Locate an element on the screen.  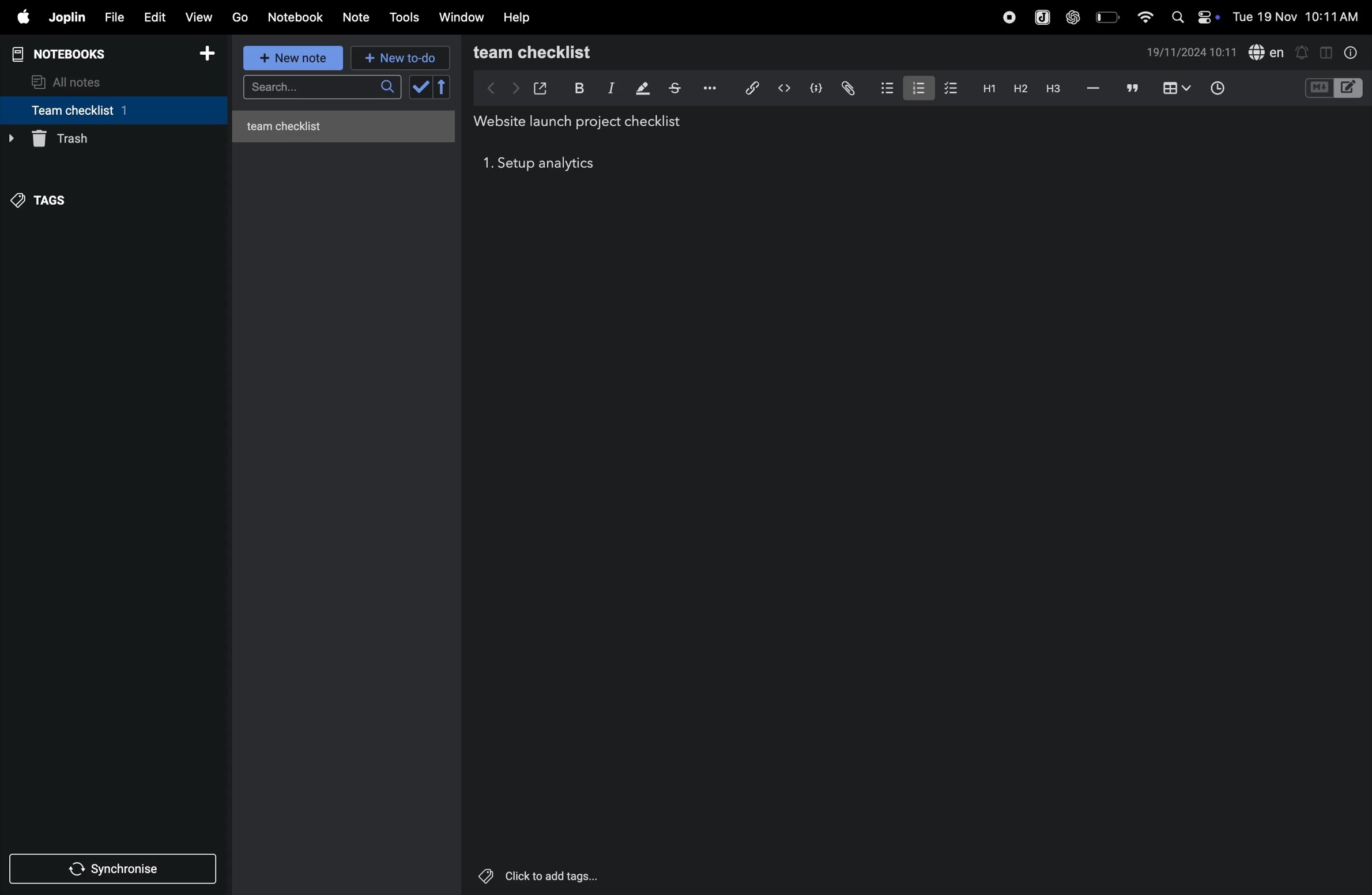
search is located at coordinates (1177, 17).